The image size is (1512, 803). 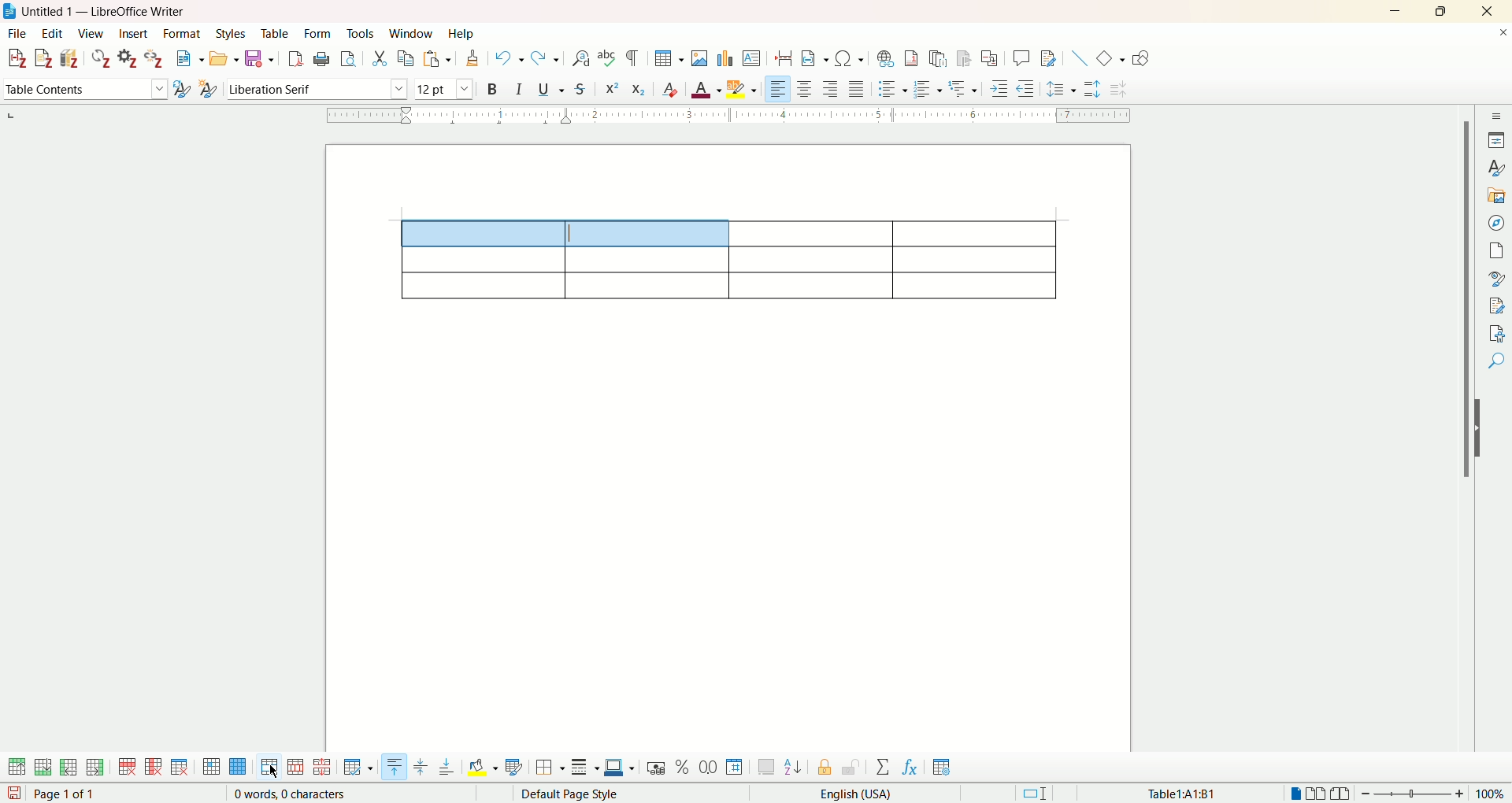 I want to click on align top, so click(x=396, y=768).